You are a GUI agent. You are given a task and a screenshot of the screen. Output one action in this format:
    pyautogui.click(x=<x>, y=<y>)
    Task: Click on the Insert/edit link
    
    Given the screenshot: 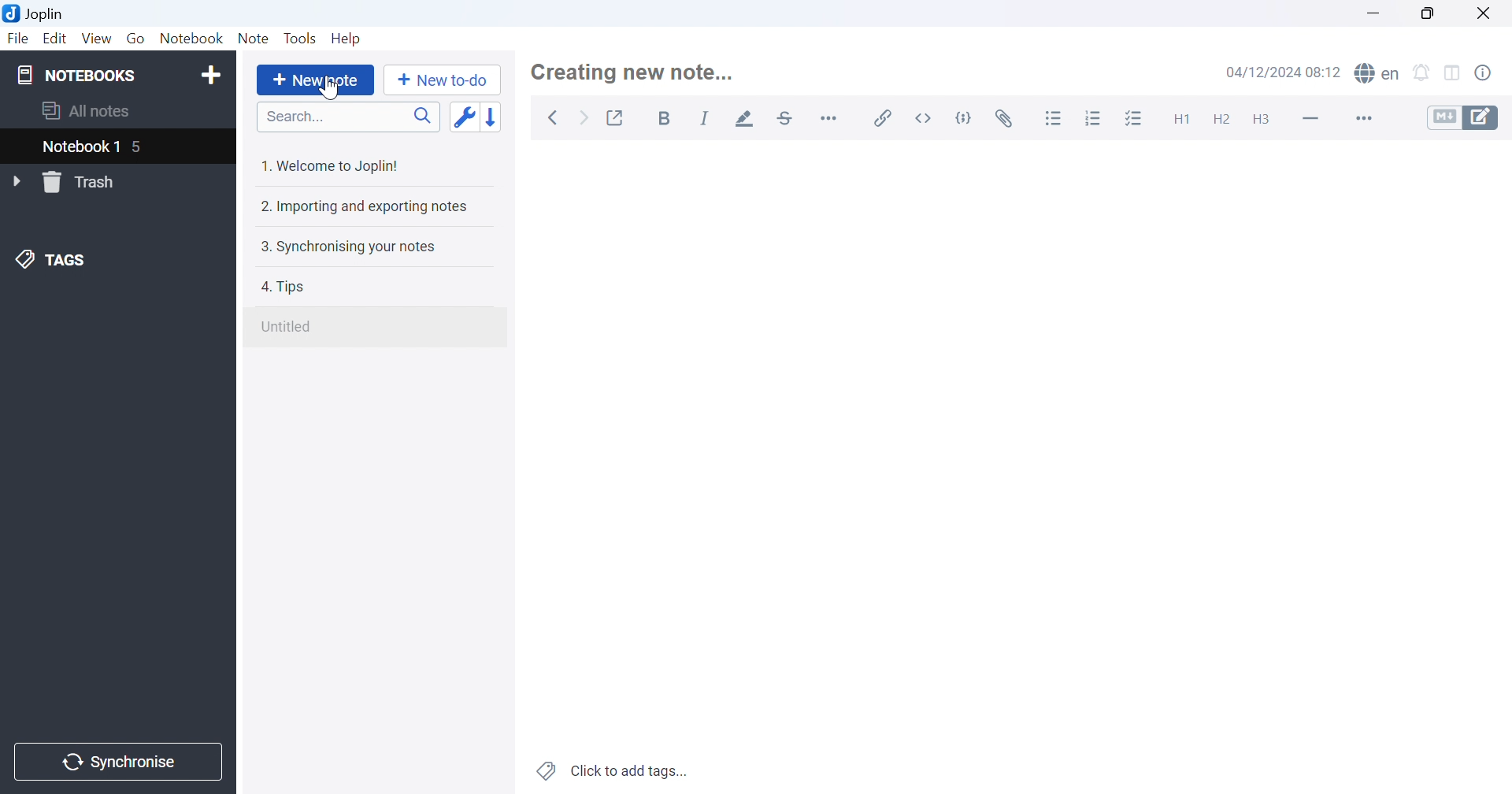 What is the action you would take?
    pyautogui.click(x=884, y=118)
    